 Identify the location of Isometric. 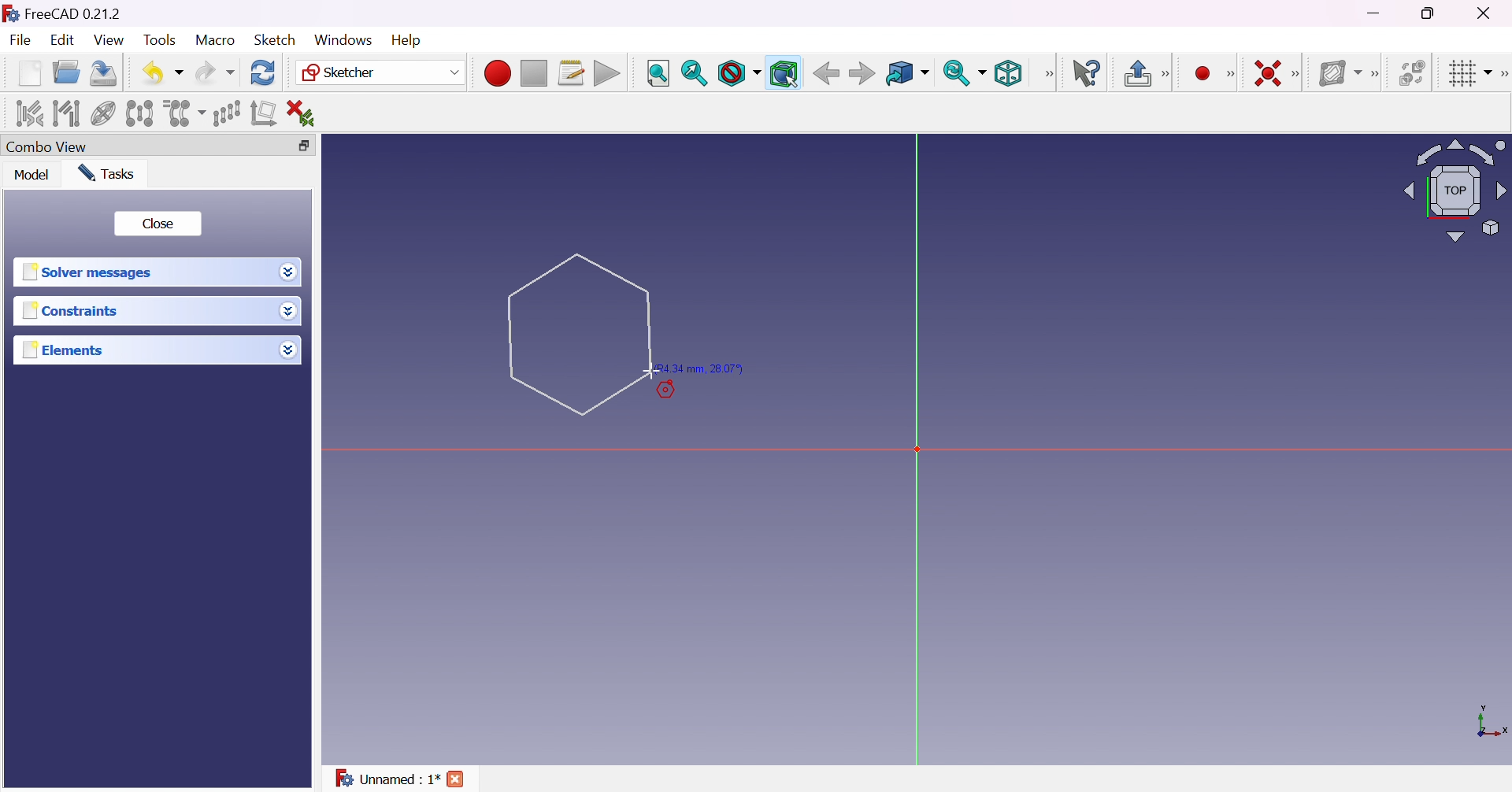
(1008, 72).